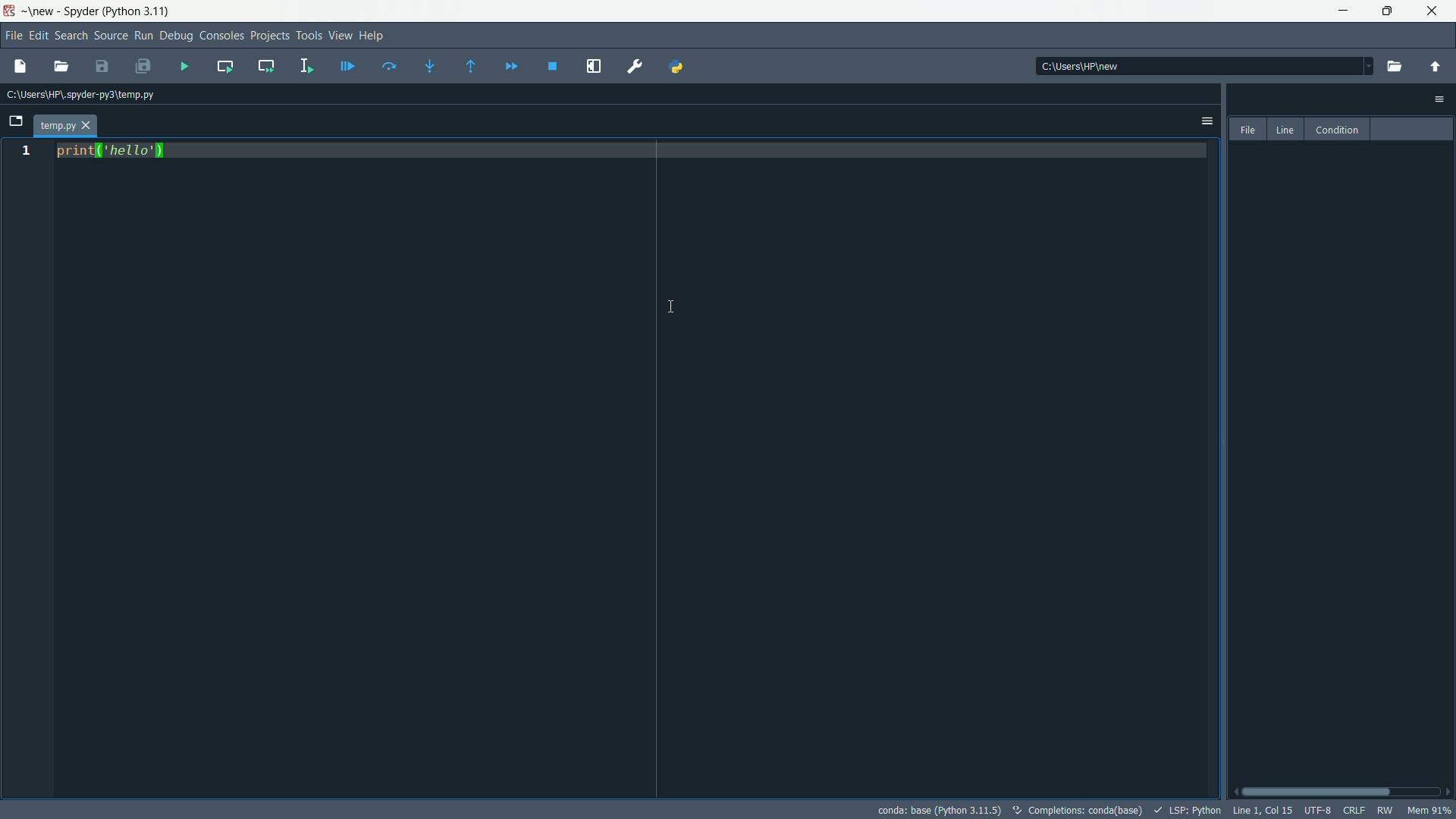 The width and height of the screenshot is (1456, 819). I want to click on rw, so click(1385, 810).